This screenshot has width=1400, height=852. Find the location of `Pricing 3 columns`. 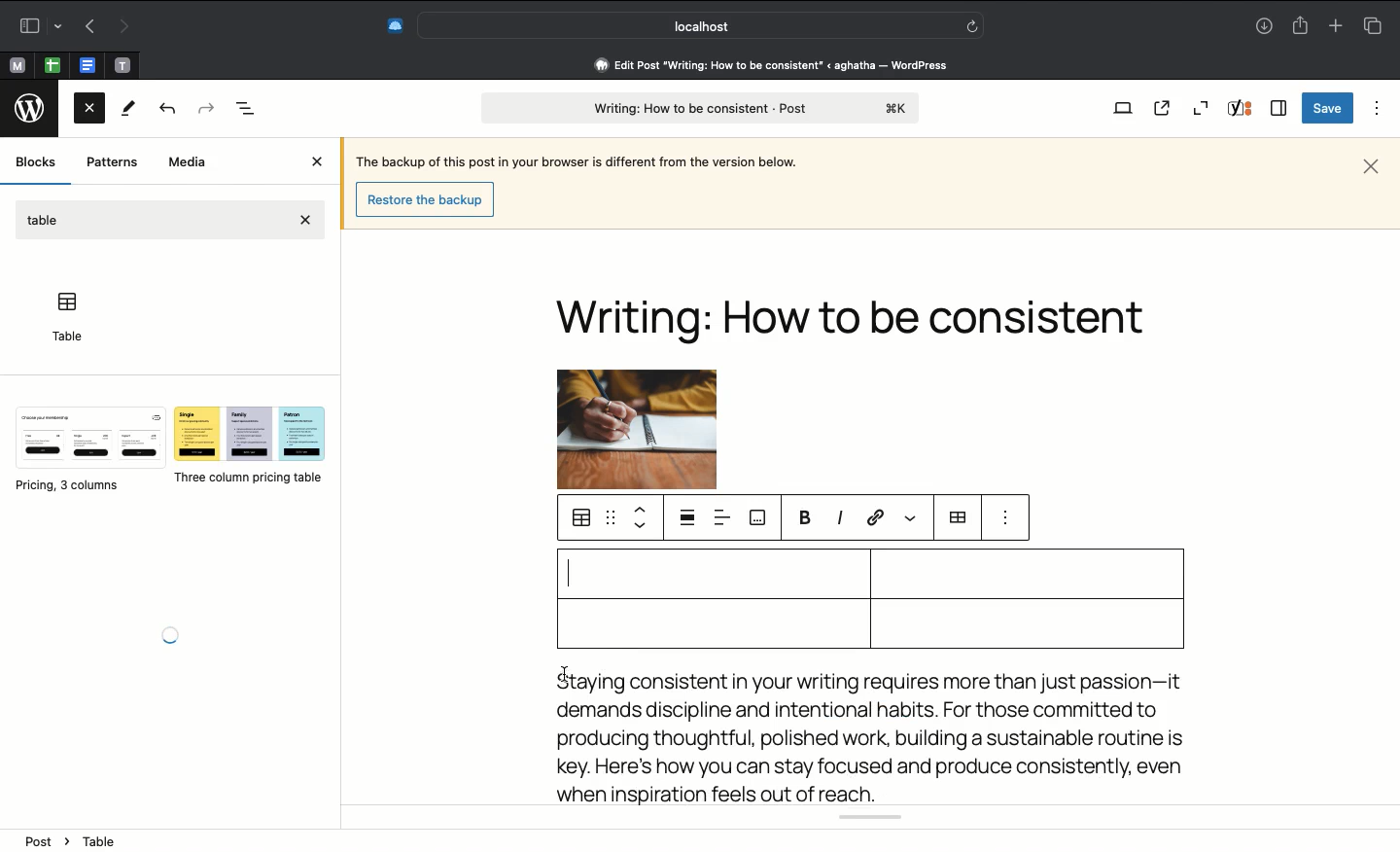

Pricing 3 columns is located at coordinates (87, 448).